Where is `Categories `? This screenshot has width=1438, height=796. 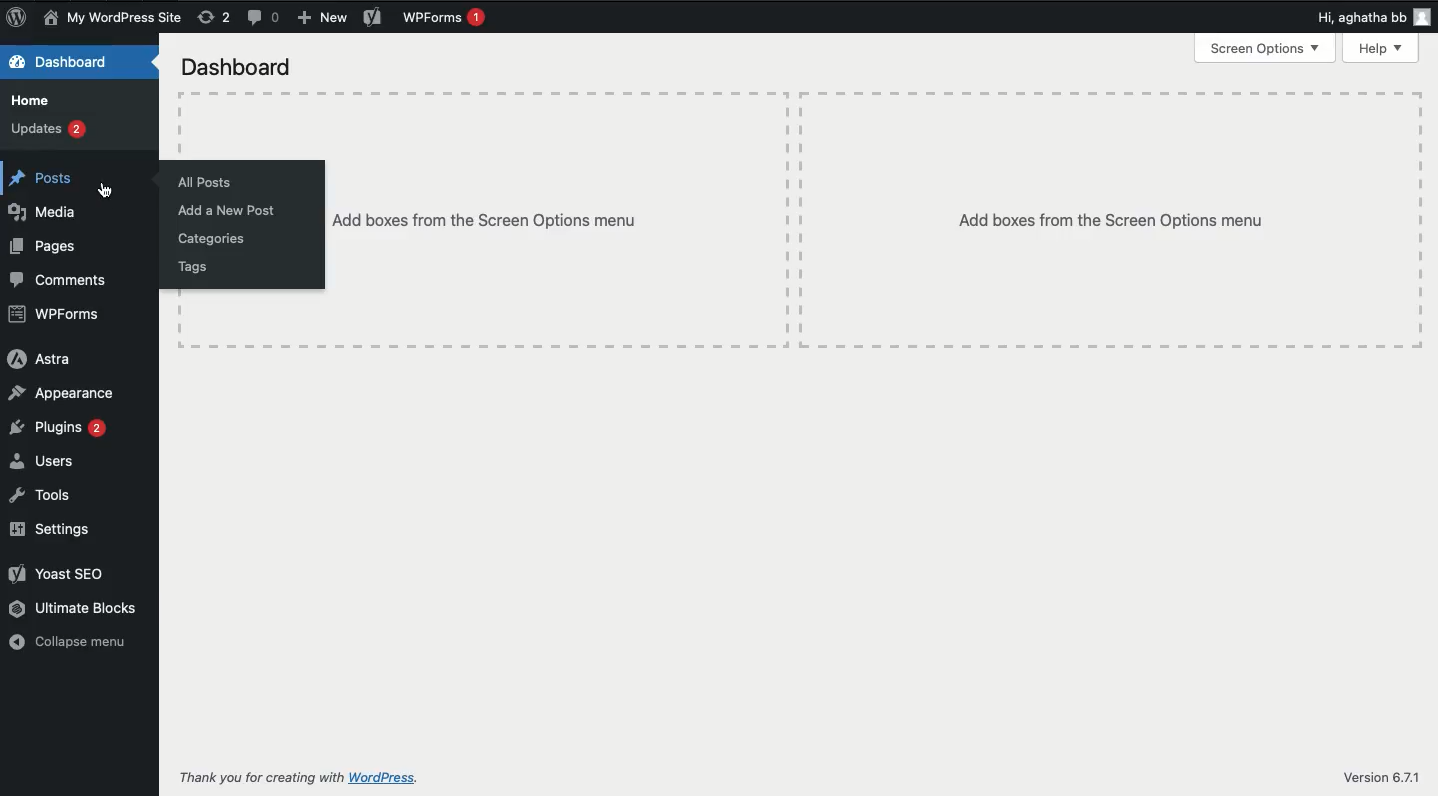
Categories  is located at coordinates (214, 242).